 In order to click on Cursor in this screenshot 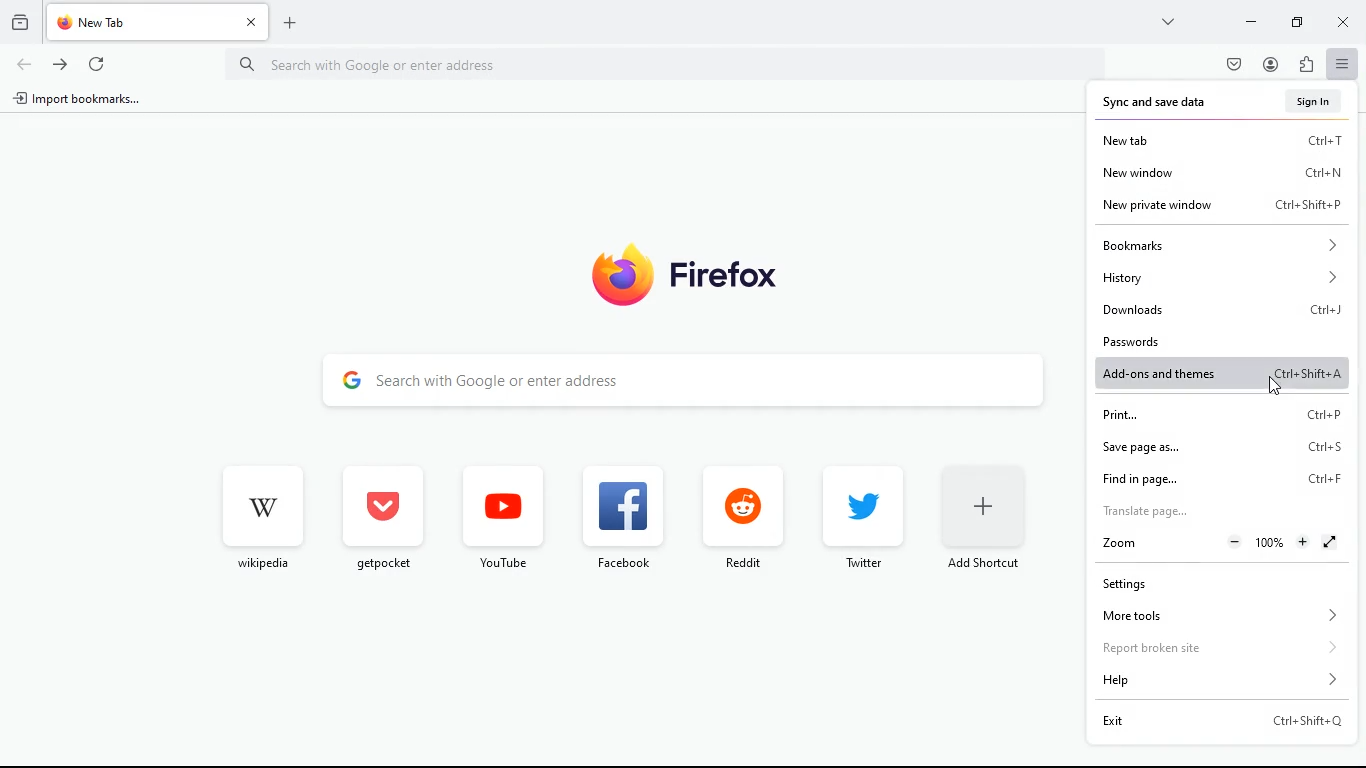, I will do `click(1276, 385)`.